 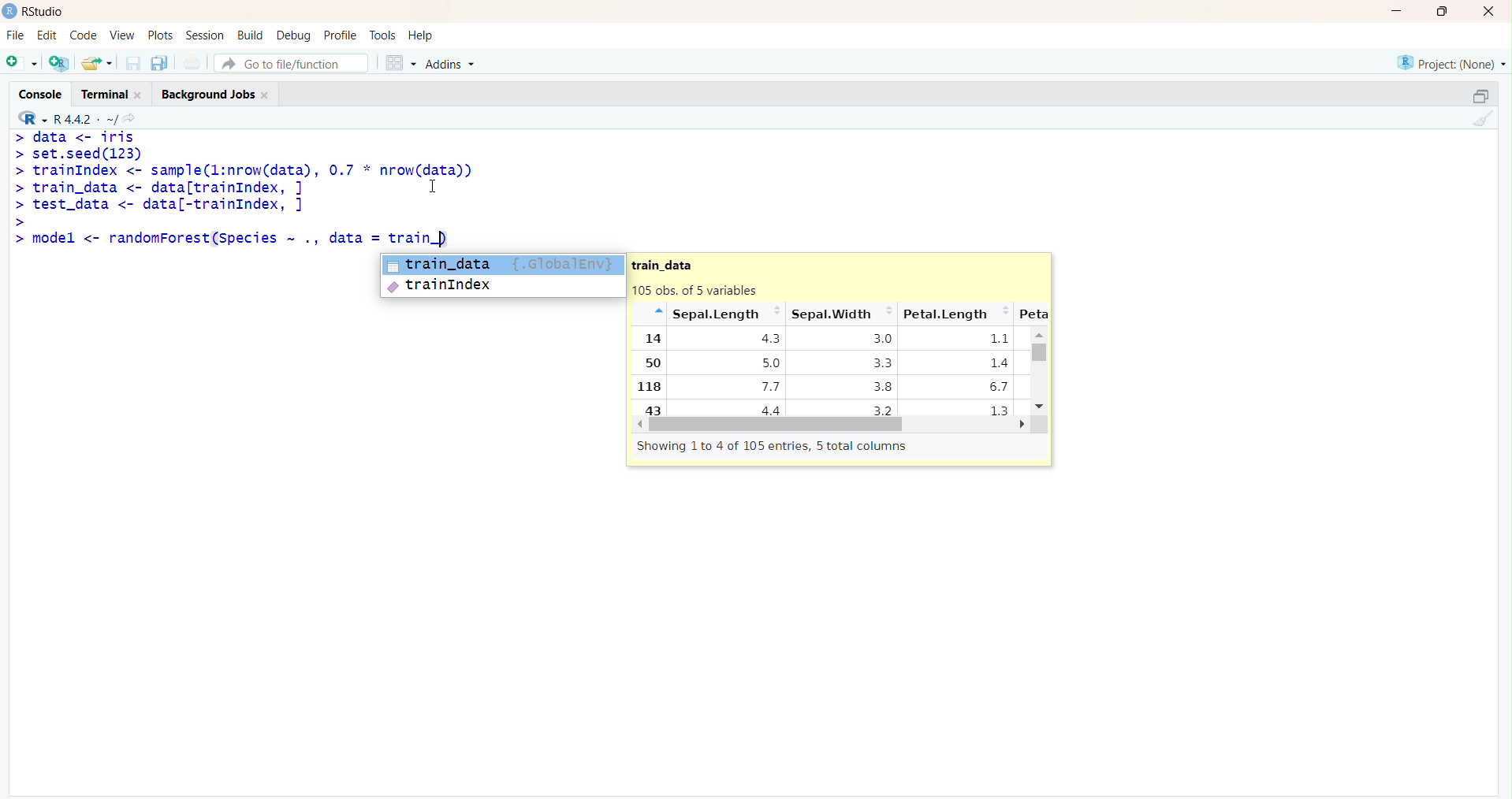 What do you see at coordinates (440, 186) in the screenshot?
I see `Cursor` at bounding box center [440, 186].